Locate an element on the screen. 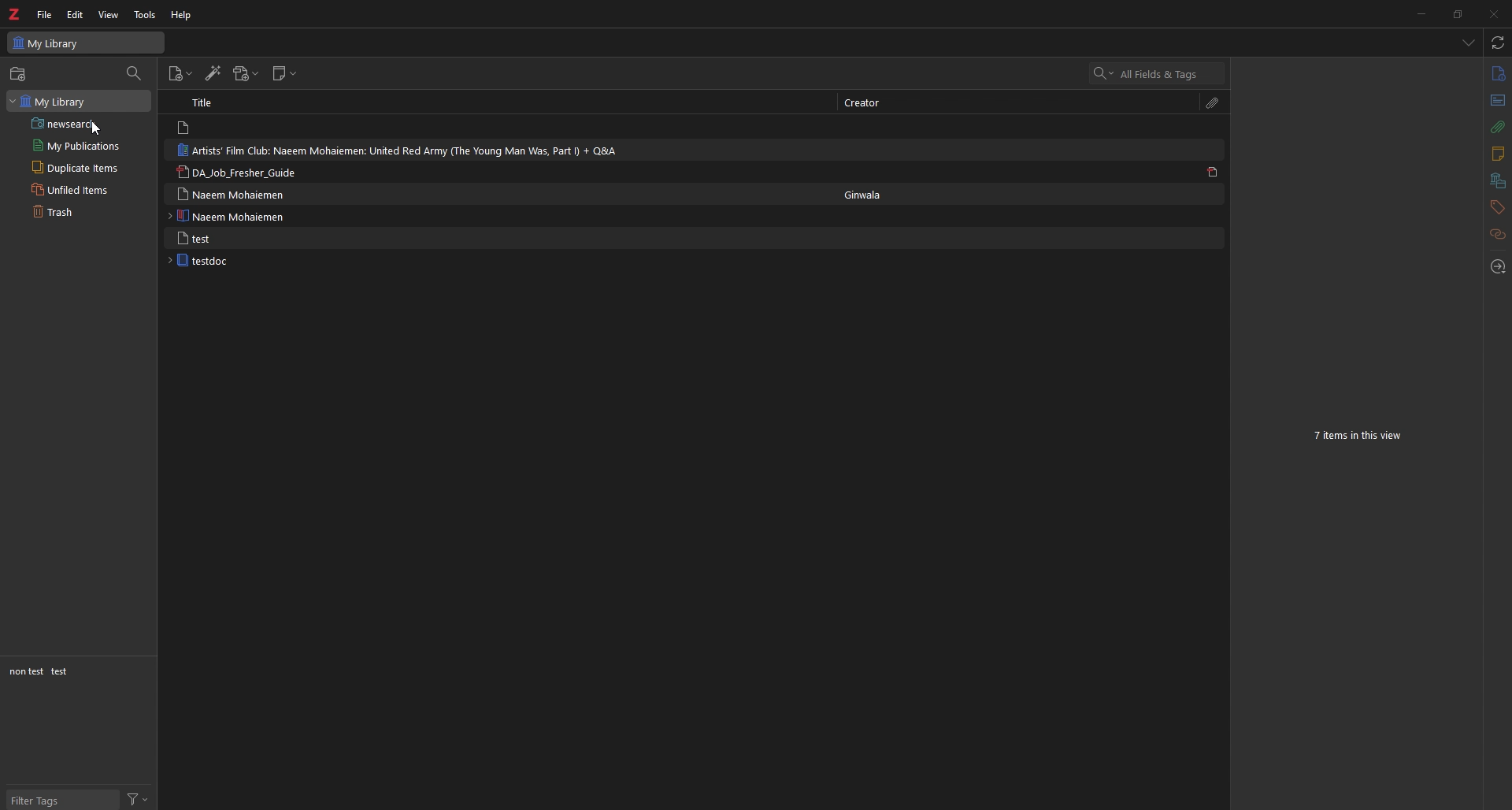 The width and height of the screenshot is (1512, 810). minimize is located at coordinates (1425, 13).